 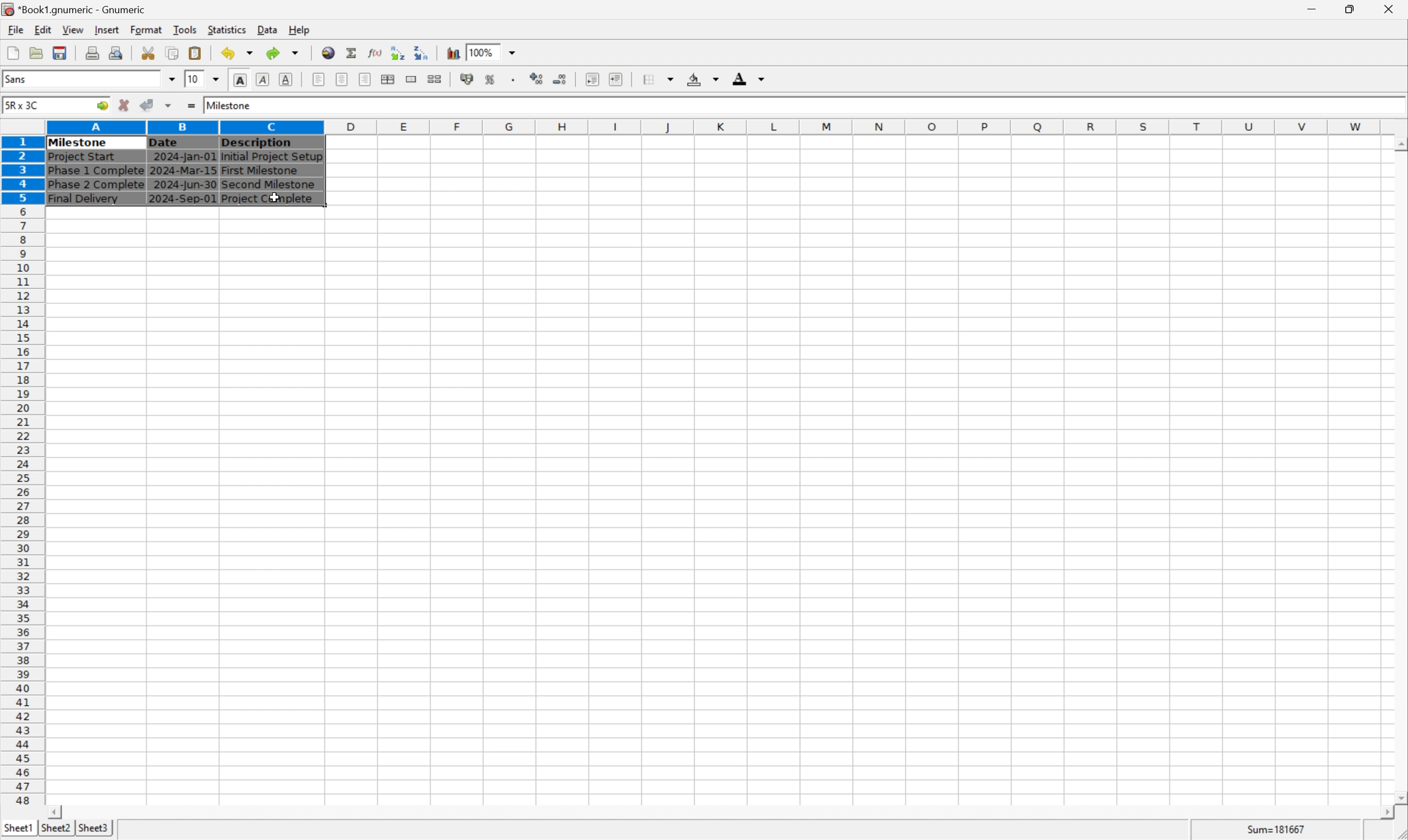 I want to click on edit, so click(x=44, y=29).